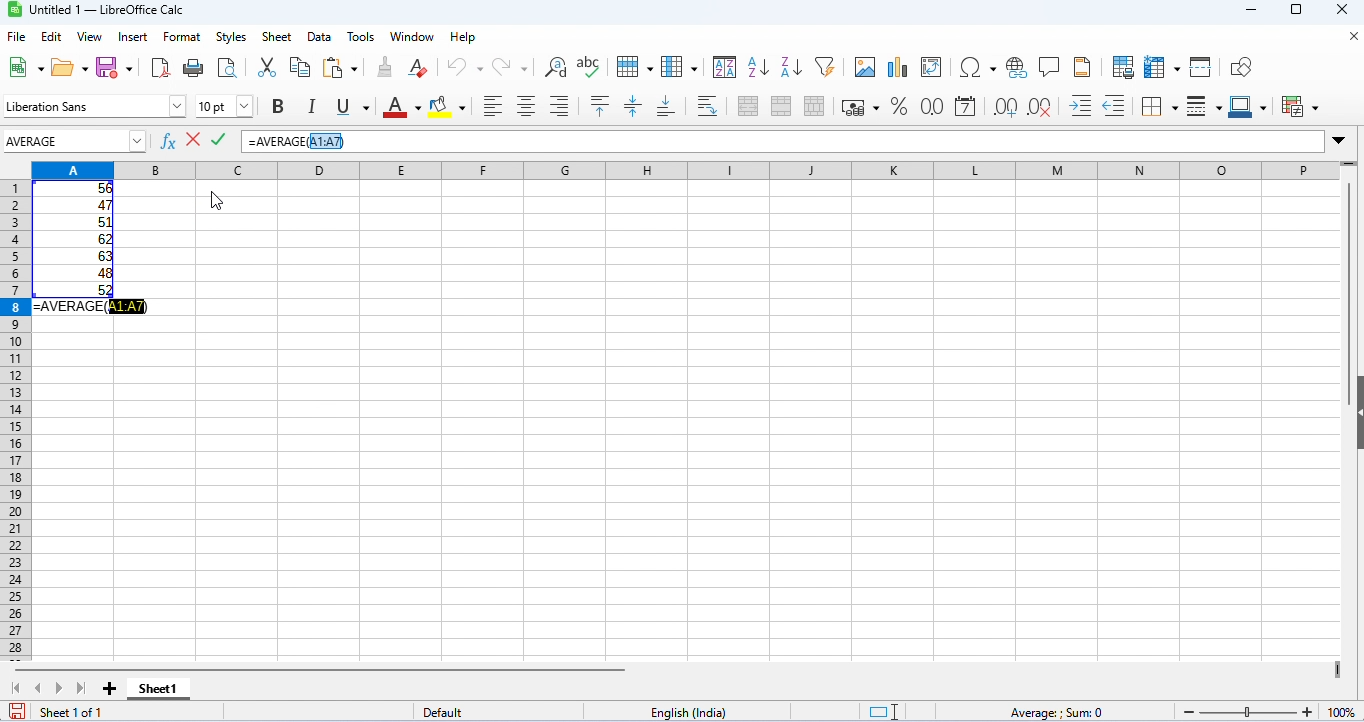  What do you see at coordinates (182, 38) in the screenshot?
I see `format` at bounding box center [182, 38].